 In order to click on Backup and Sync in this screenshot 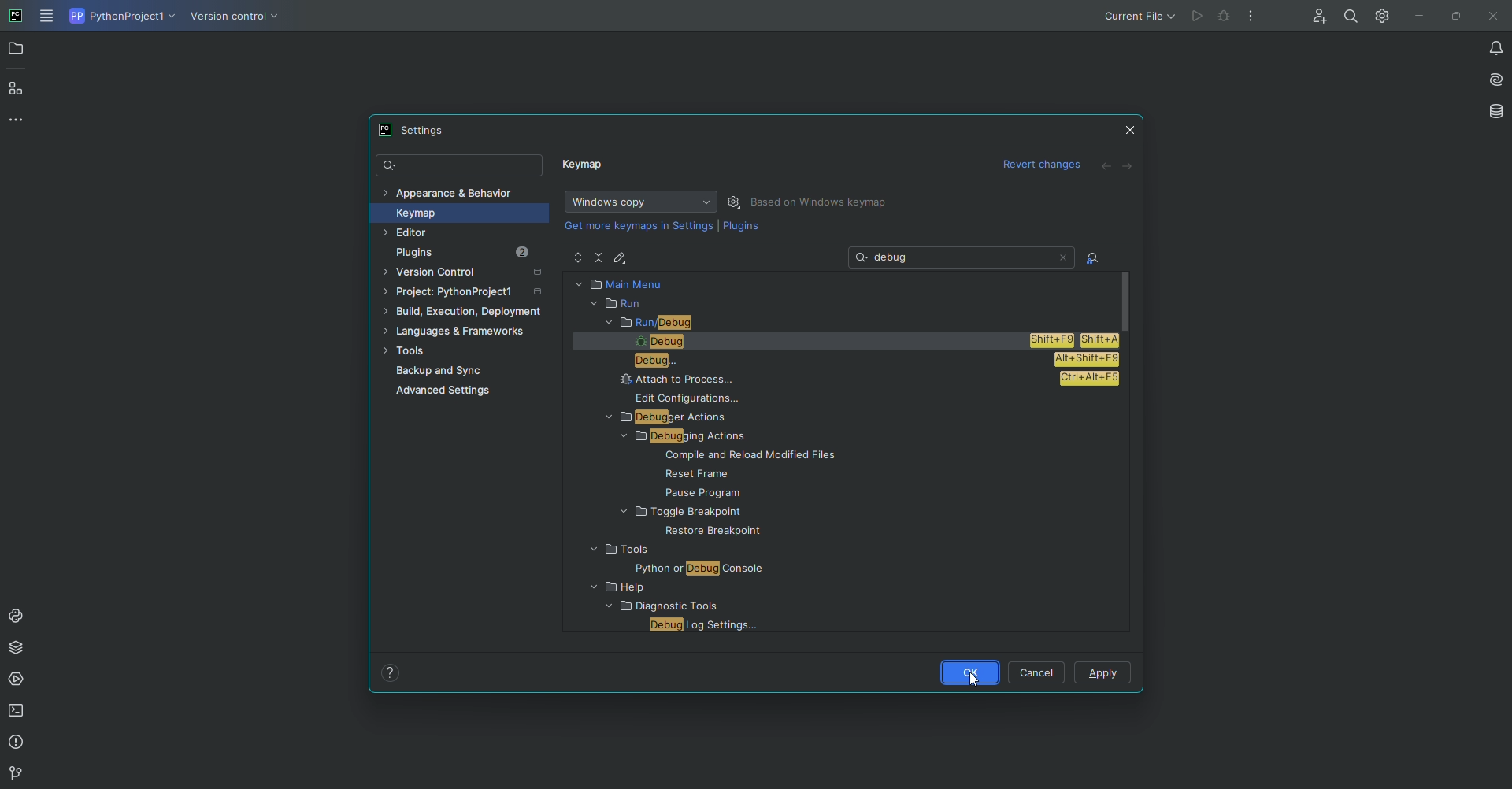, I will do `click(471, 371)`.